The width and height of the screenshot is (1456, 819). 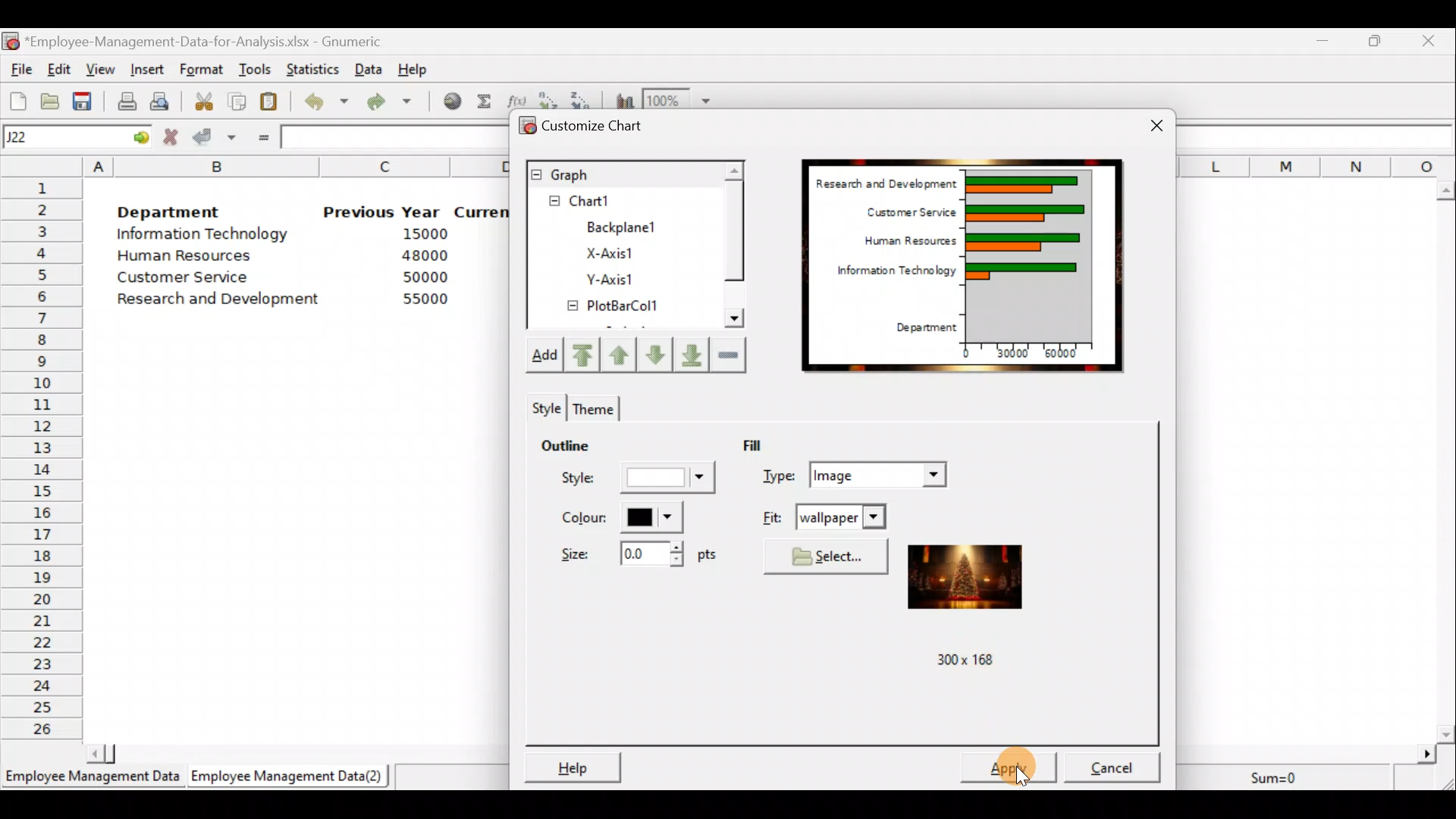 What do you see at coordinates (383, 211) in the screenshot?
I see `Previous Year` at bounding box center [383, 211].